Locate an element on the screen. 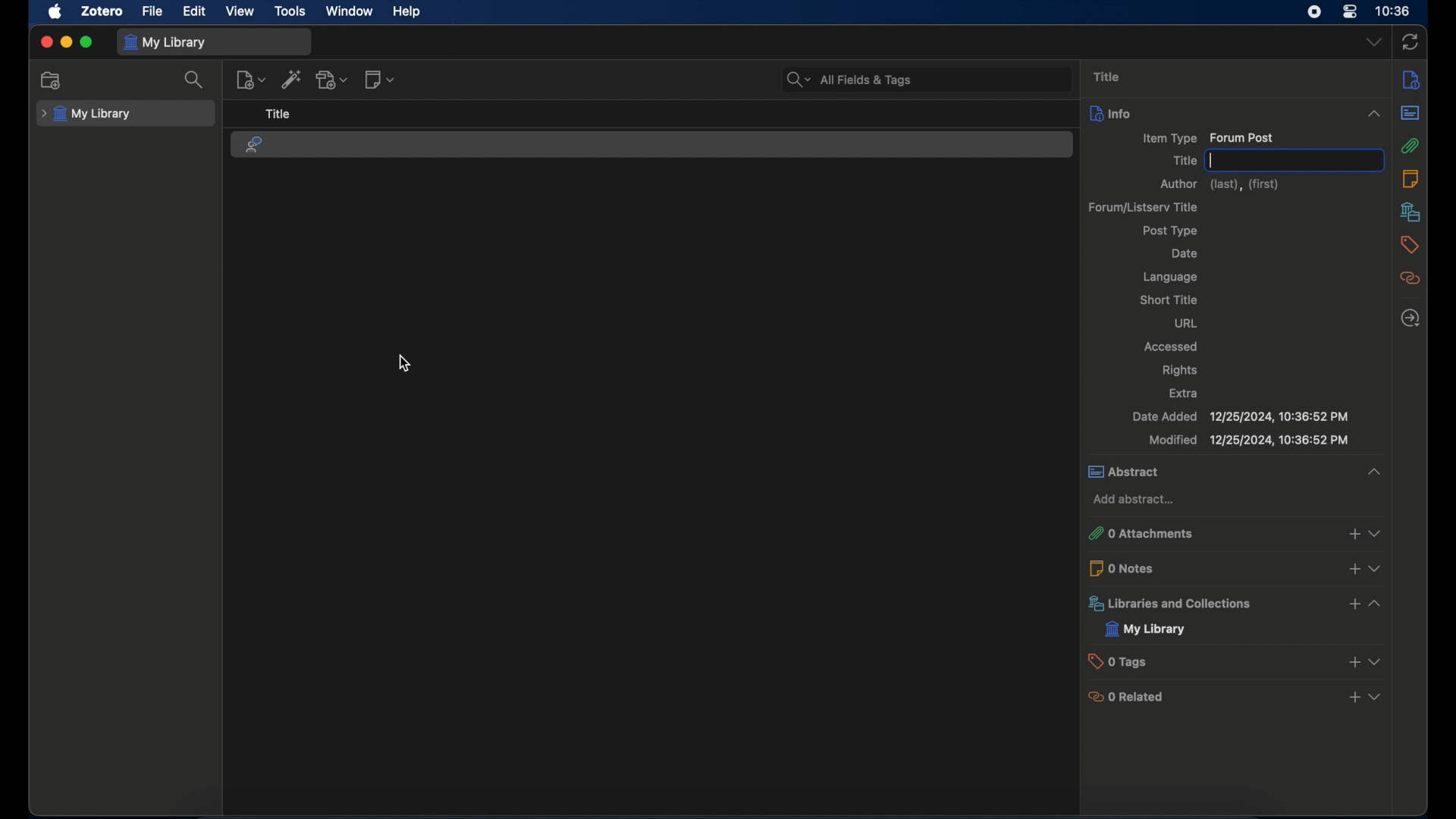  search is located at coordinates (194, 81).